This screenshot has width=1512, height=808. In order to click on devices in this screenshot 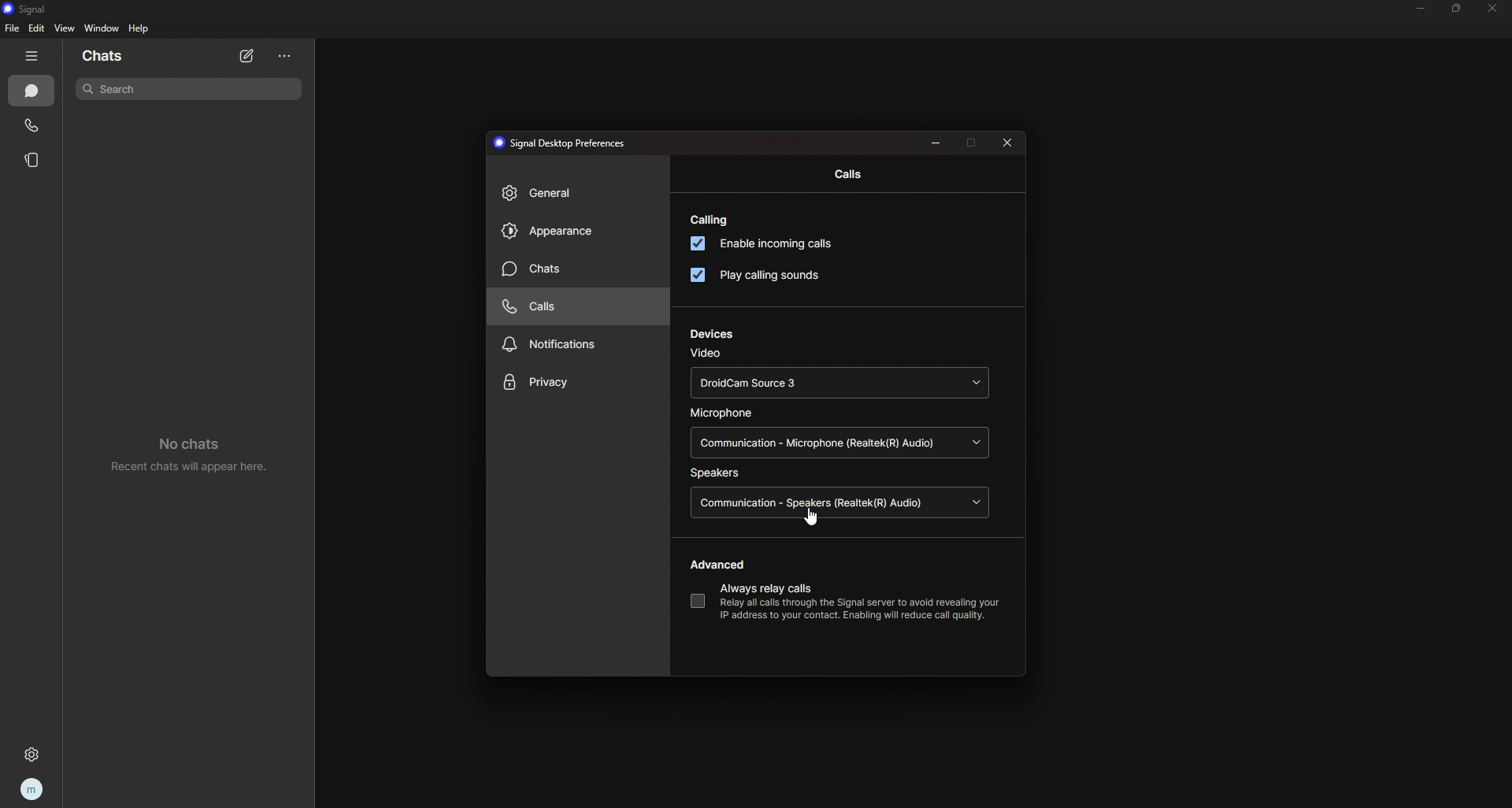, I will do `click(714, 334)`.